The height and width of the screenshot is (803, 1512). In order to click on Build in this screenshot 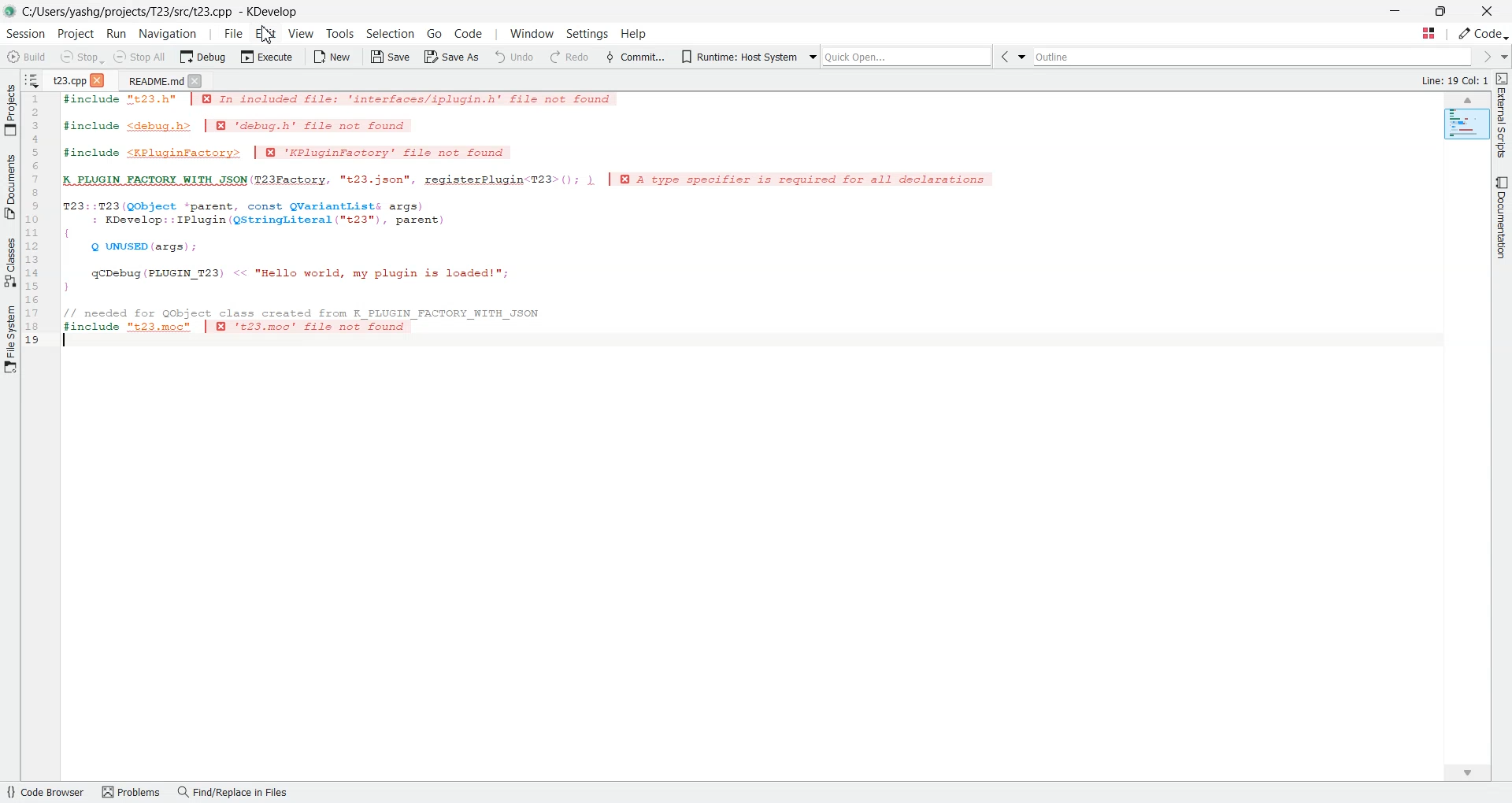, I will do `click(28, 56)`.